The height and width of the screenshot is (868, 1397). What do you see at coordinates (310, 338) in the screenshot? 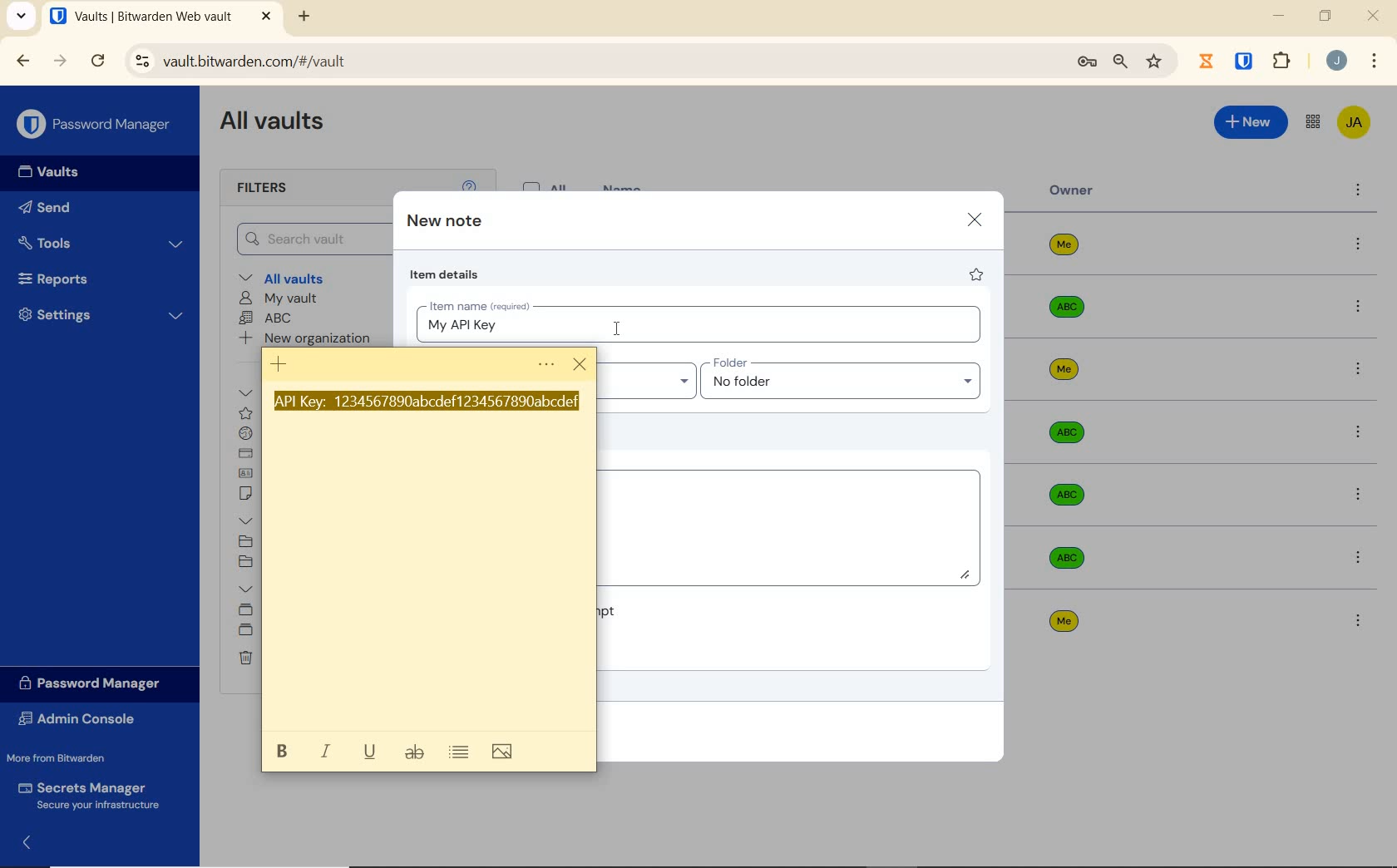
I see `New organization` at bounding box center [310, 338].